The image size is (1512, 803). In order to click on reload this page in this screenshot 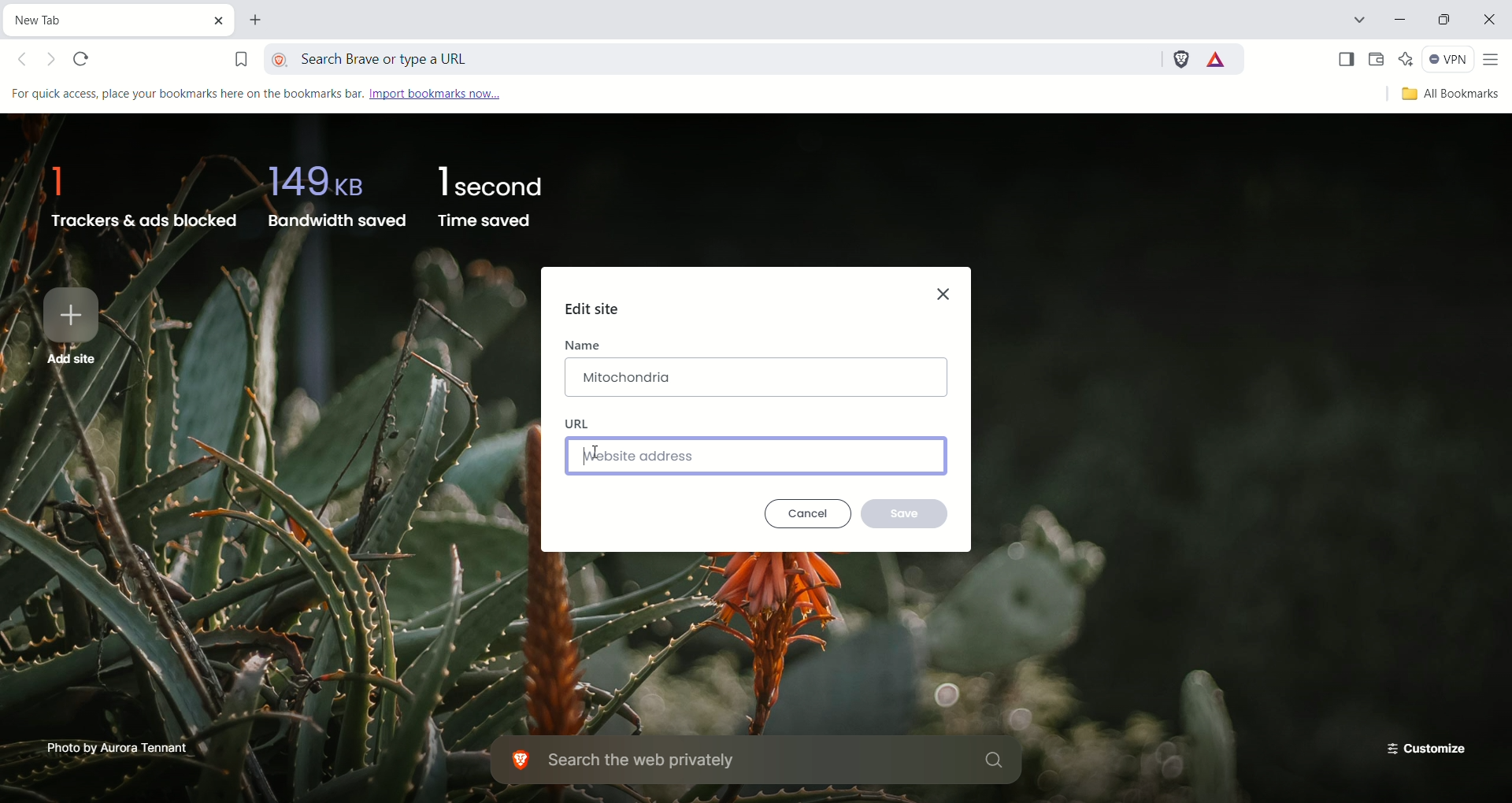, I will do `click(84, 60)`.